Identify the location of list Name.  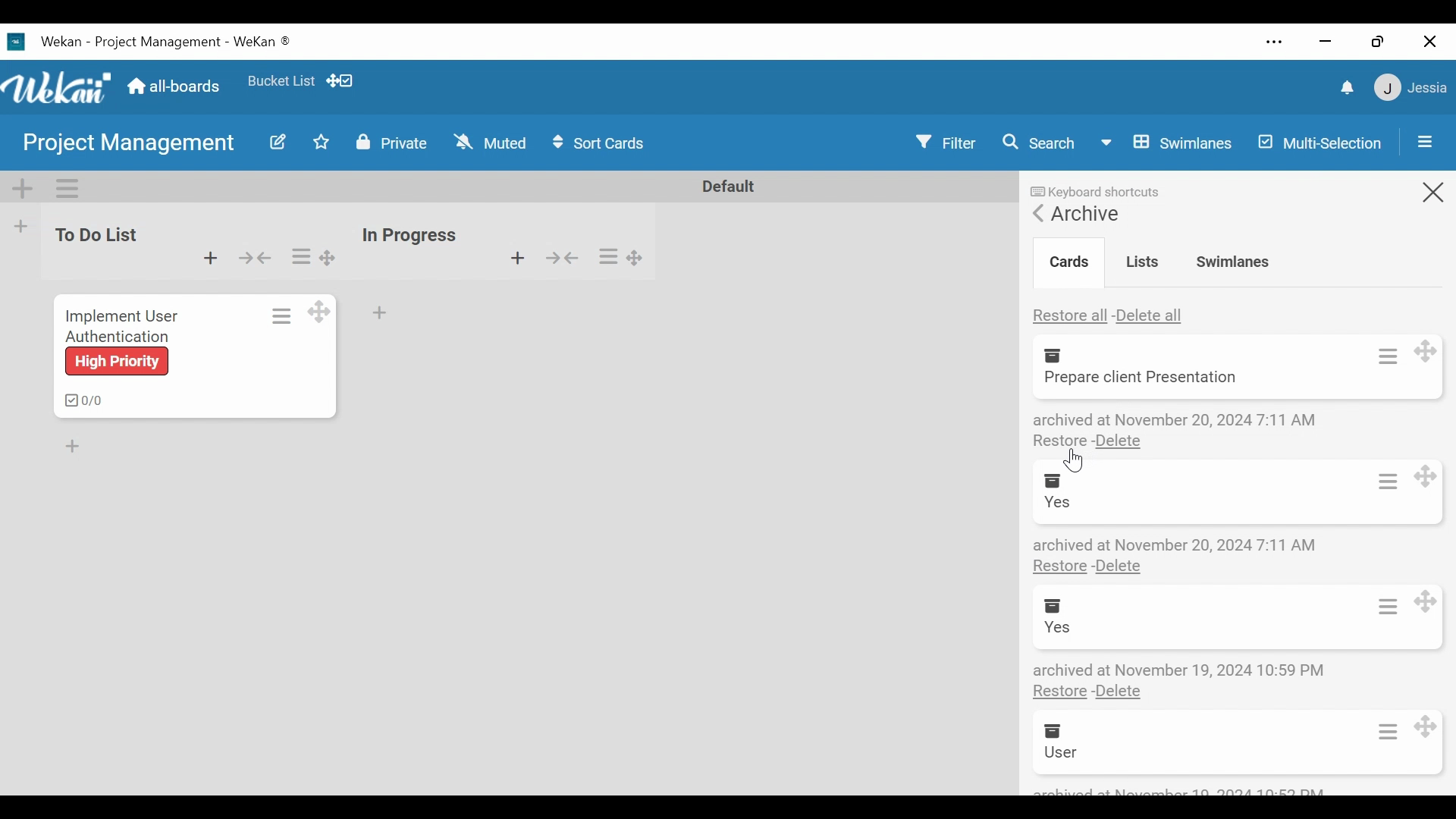
(408, 235).